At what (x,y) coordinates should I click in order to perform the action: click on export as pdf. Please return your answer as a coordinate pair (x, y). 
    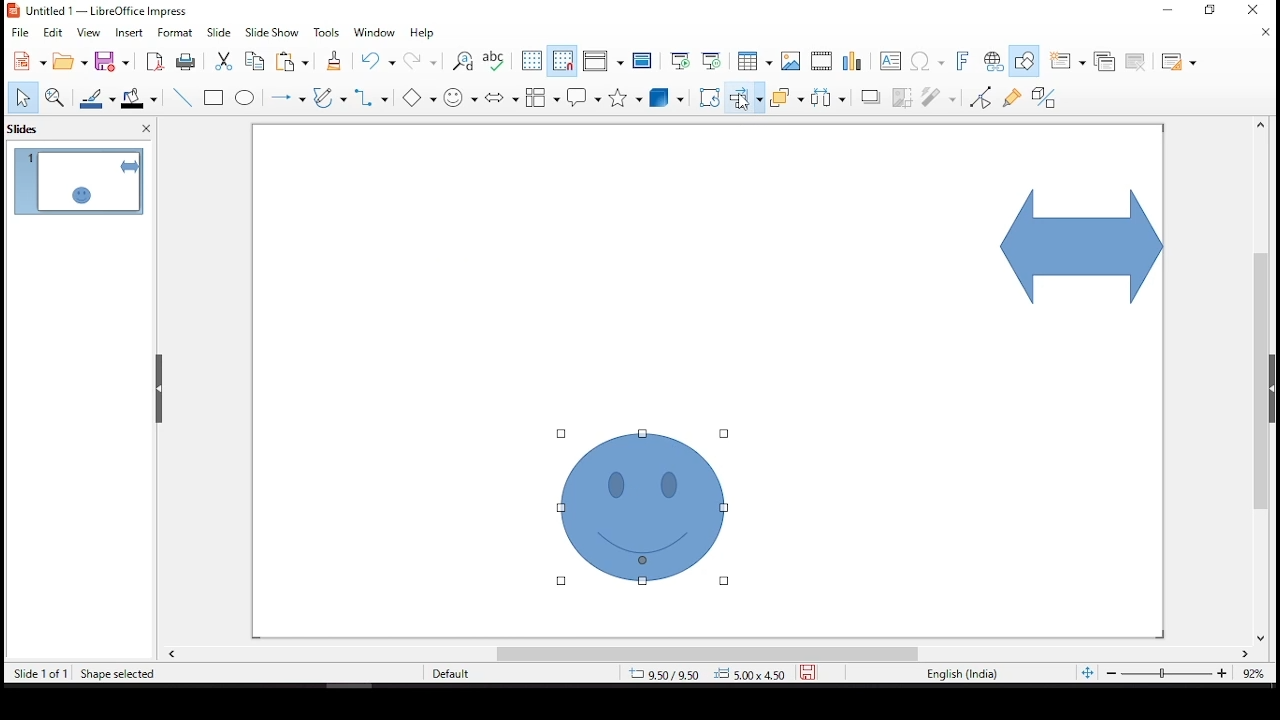
    Looking at the image, I should click on (154, 62).